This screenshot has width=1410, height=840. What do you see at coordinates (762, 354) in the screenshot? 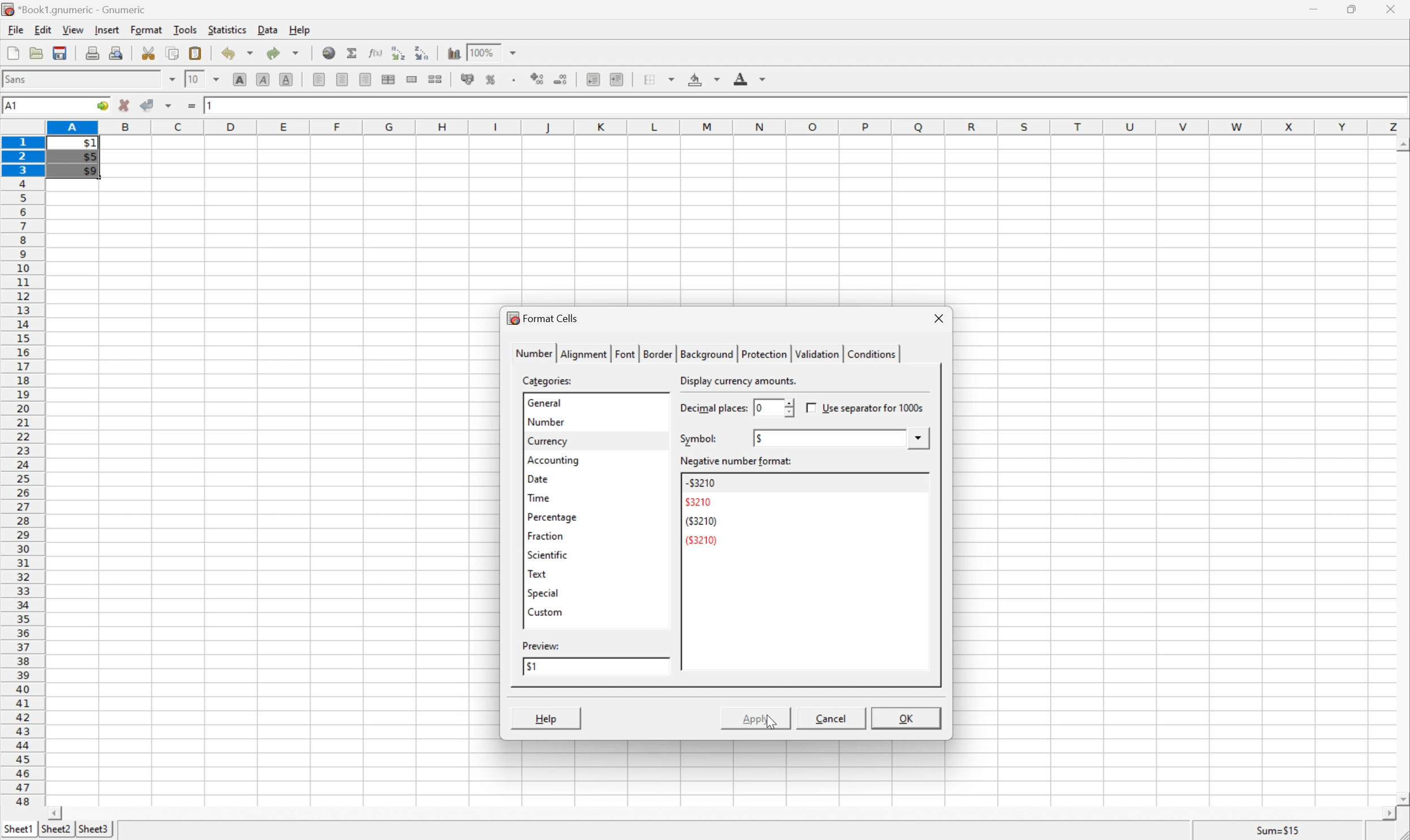
I see `protection` at bounding box center [762, 354].